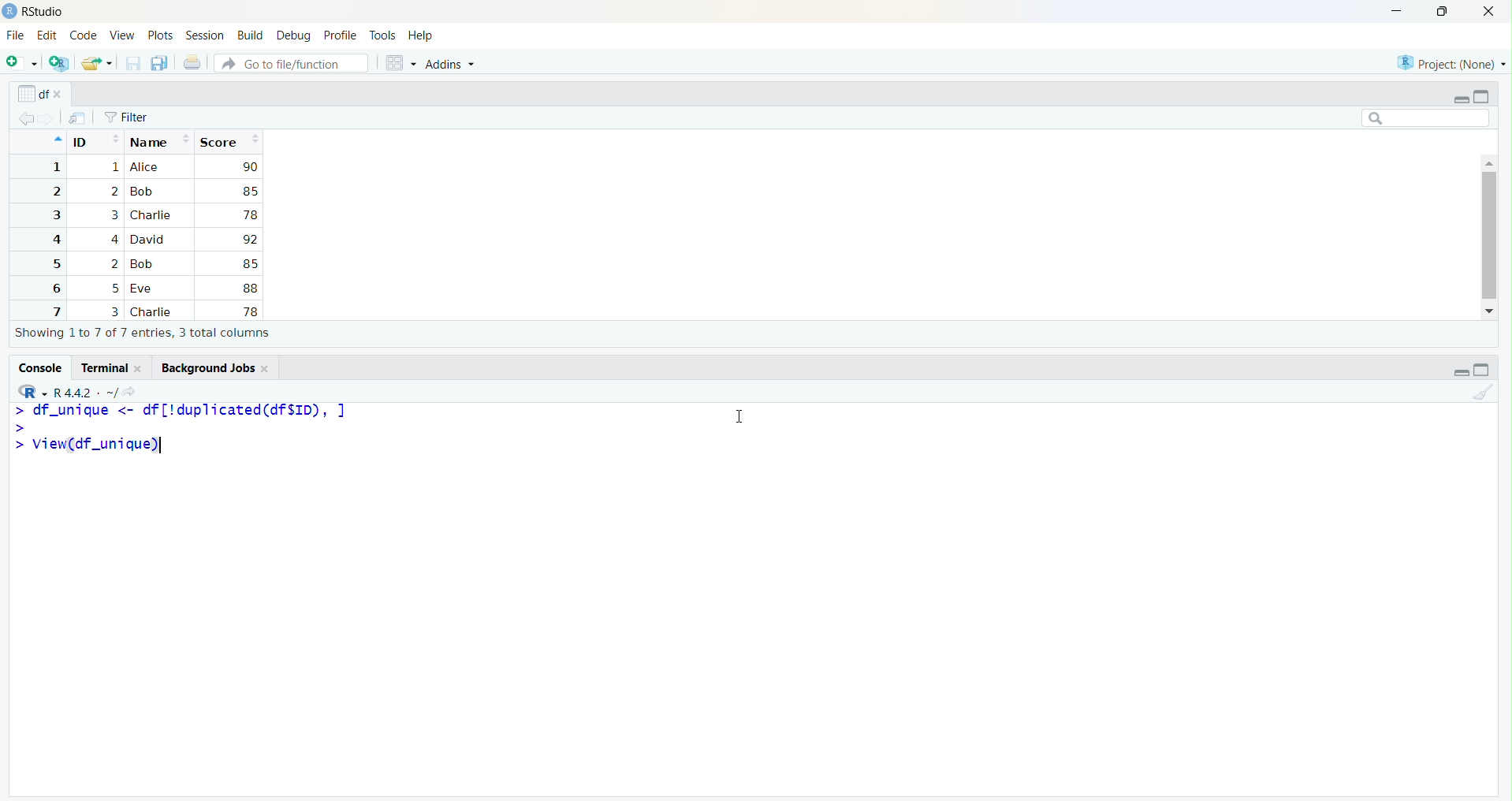 This screenshot has width=1512, height=801. Describe the element at coordinates (1448, 64) in the screenshot. I see `Project (None)` at that location.